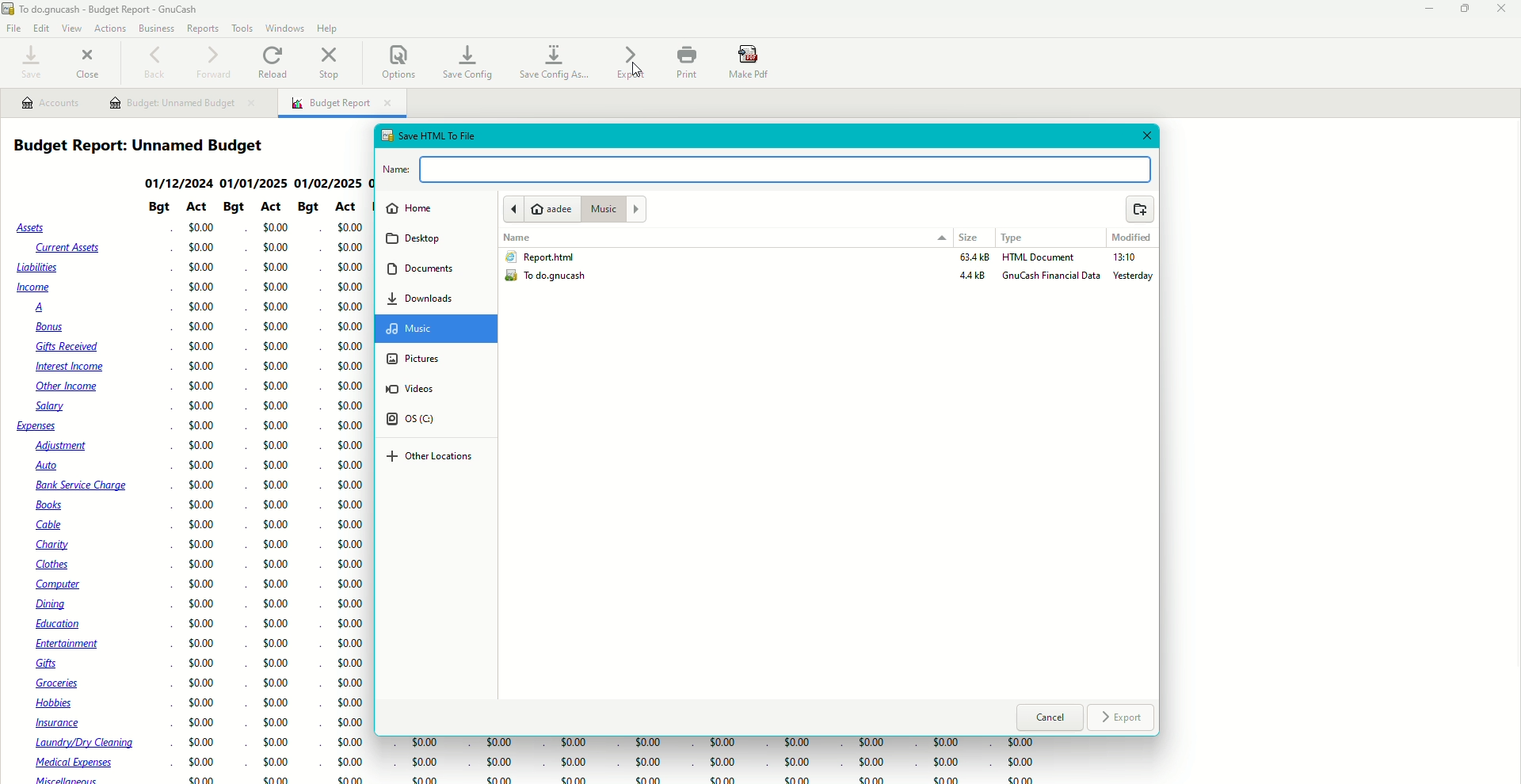 The image size is (1521, 784). What do you see at coordinates (1424, 9) in the screenshot?
I see `Minimize` at bounding box center [1424, 9].